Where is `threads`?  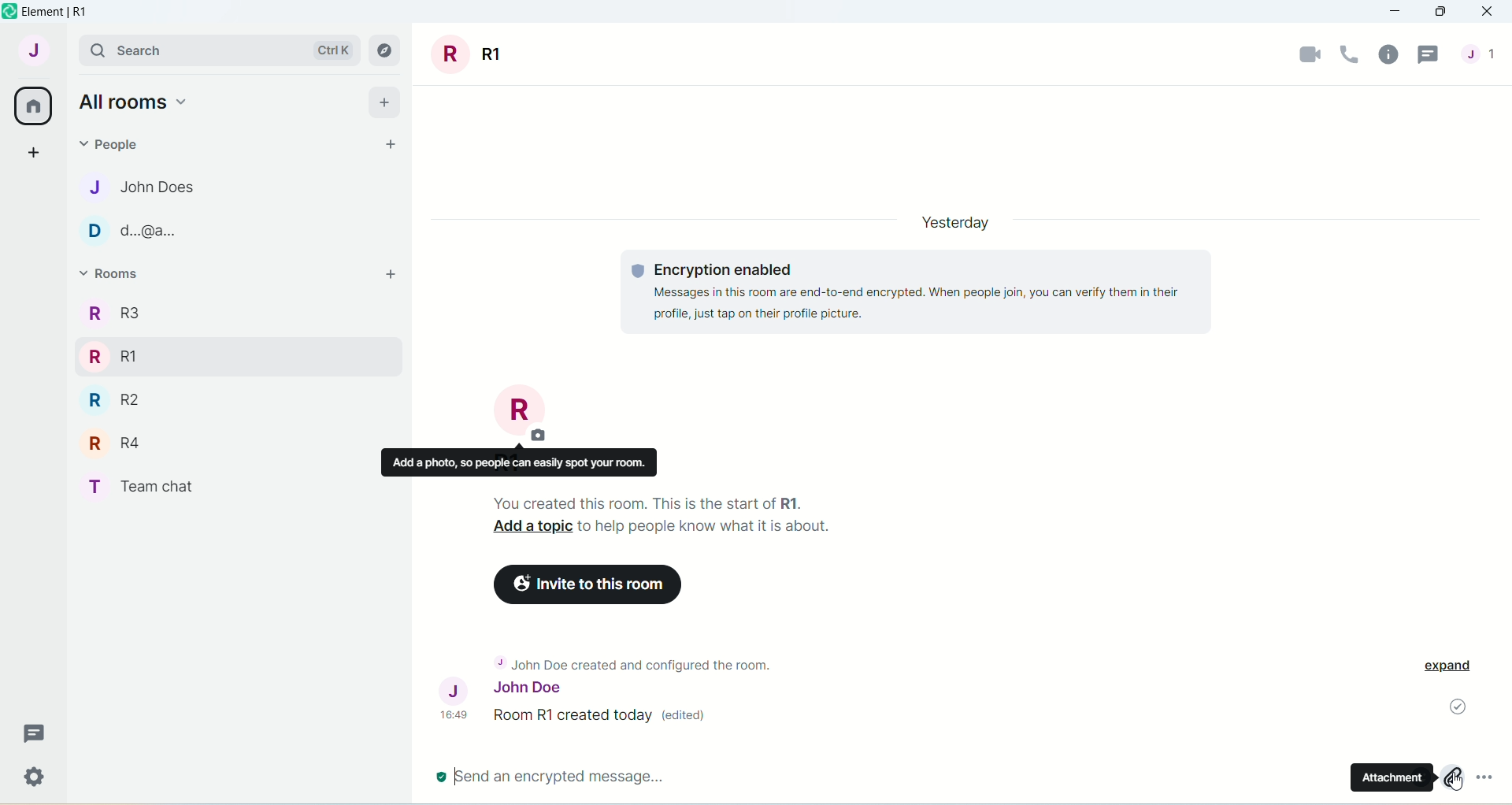 threads is located at coordinates (1432, 54).